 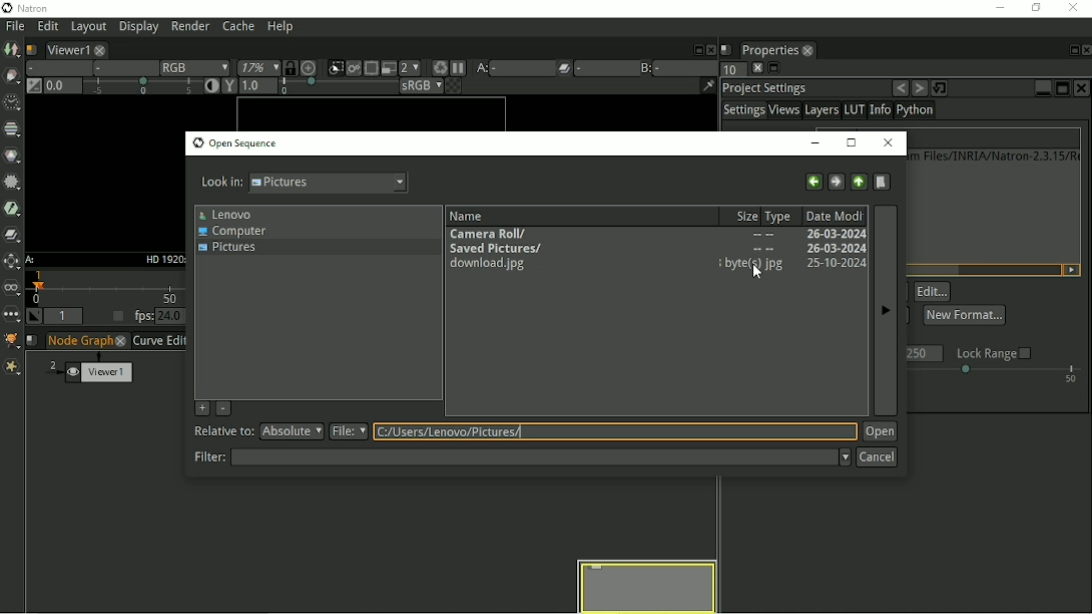 What do you see at coordinates (33, 341) in the screenshot?
I see `Script name` at bounding box center [33, 341].